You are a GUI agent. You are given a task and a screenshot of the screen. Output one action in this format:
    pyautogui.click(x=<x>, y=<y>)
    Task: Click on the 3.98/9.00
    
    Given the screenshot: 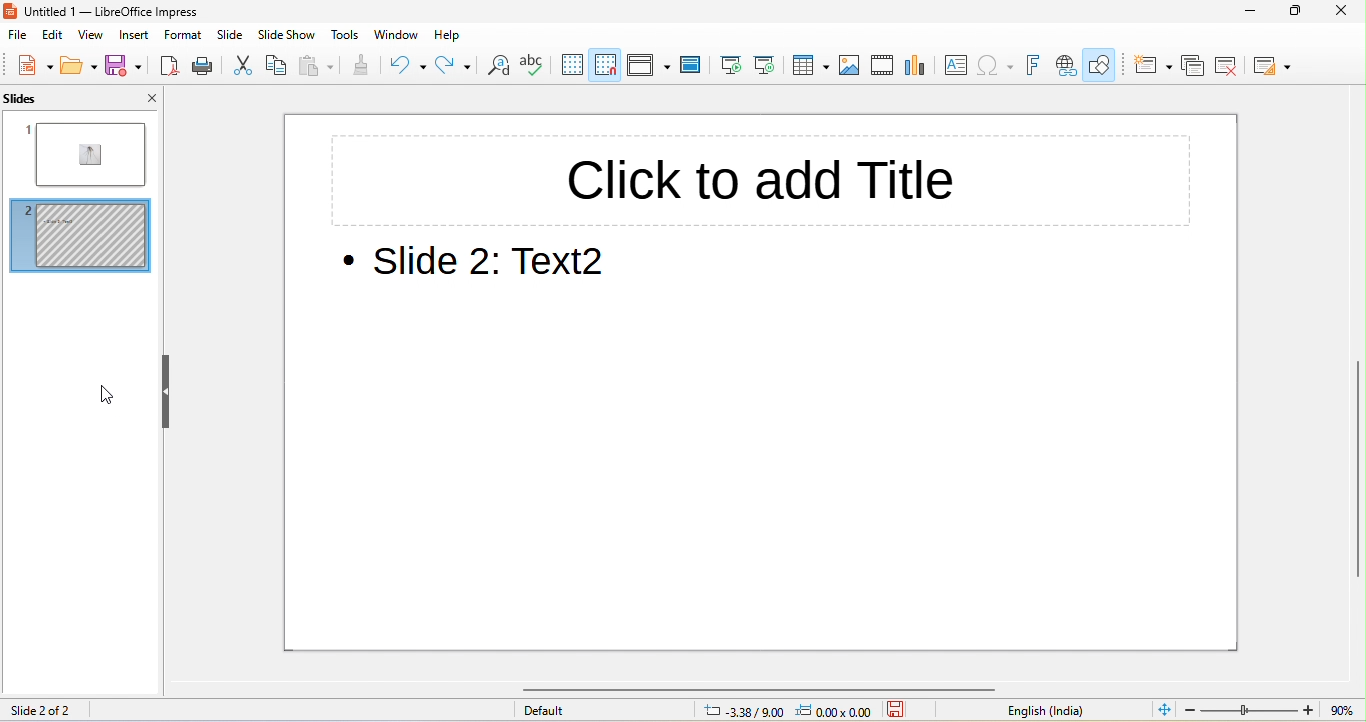 What is the action you would take?
    pyautogui.click(x=742, y=712)
    